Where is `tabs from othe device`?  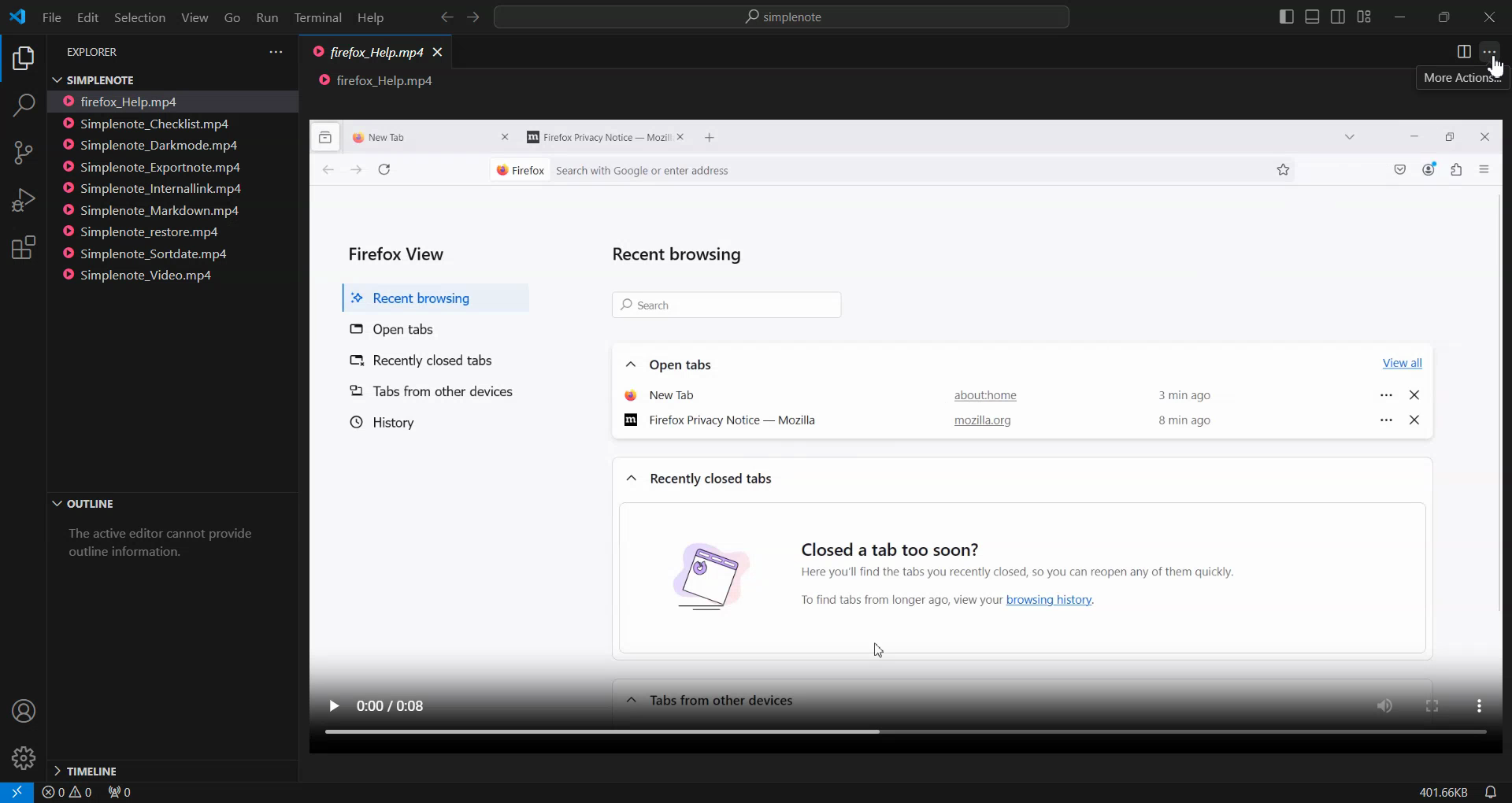
tabs from othe device is located at coordinates (709, 700).